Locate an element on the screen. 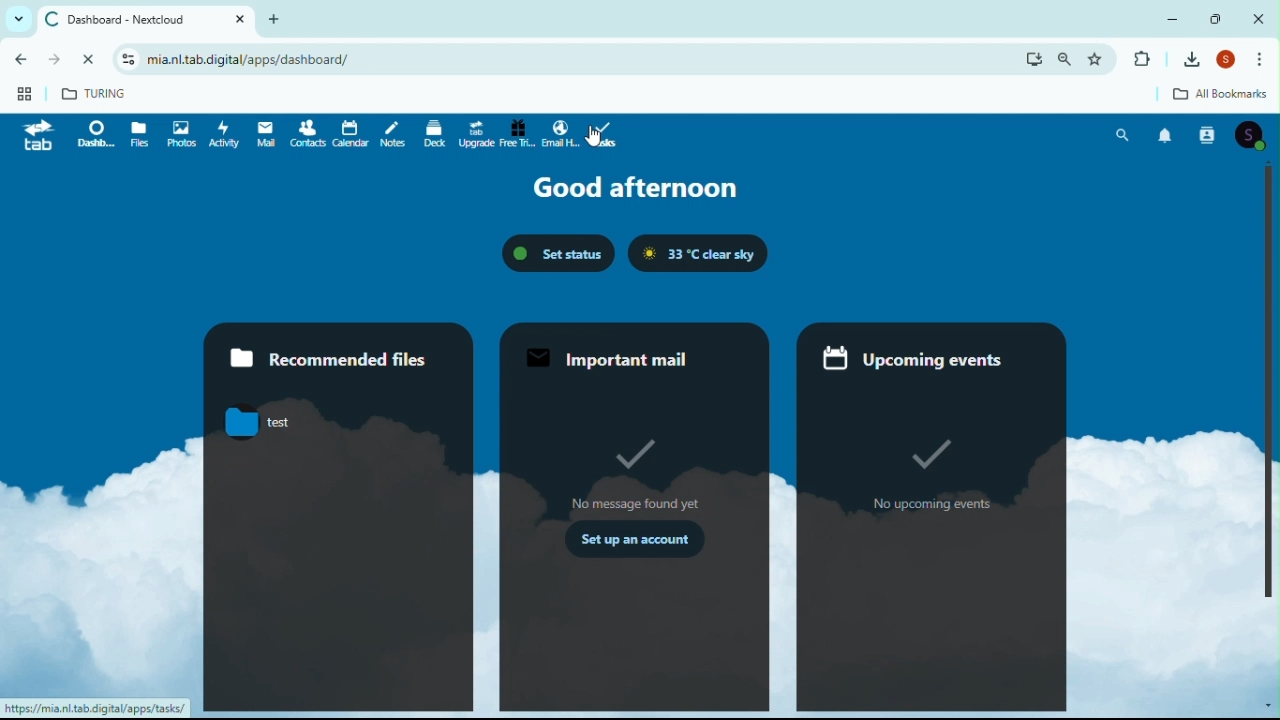 The width and height of the screenshot is (1280, 720). go back is located at coordinates (18, 59).